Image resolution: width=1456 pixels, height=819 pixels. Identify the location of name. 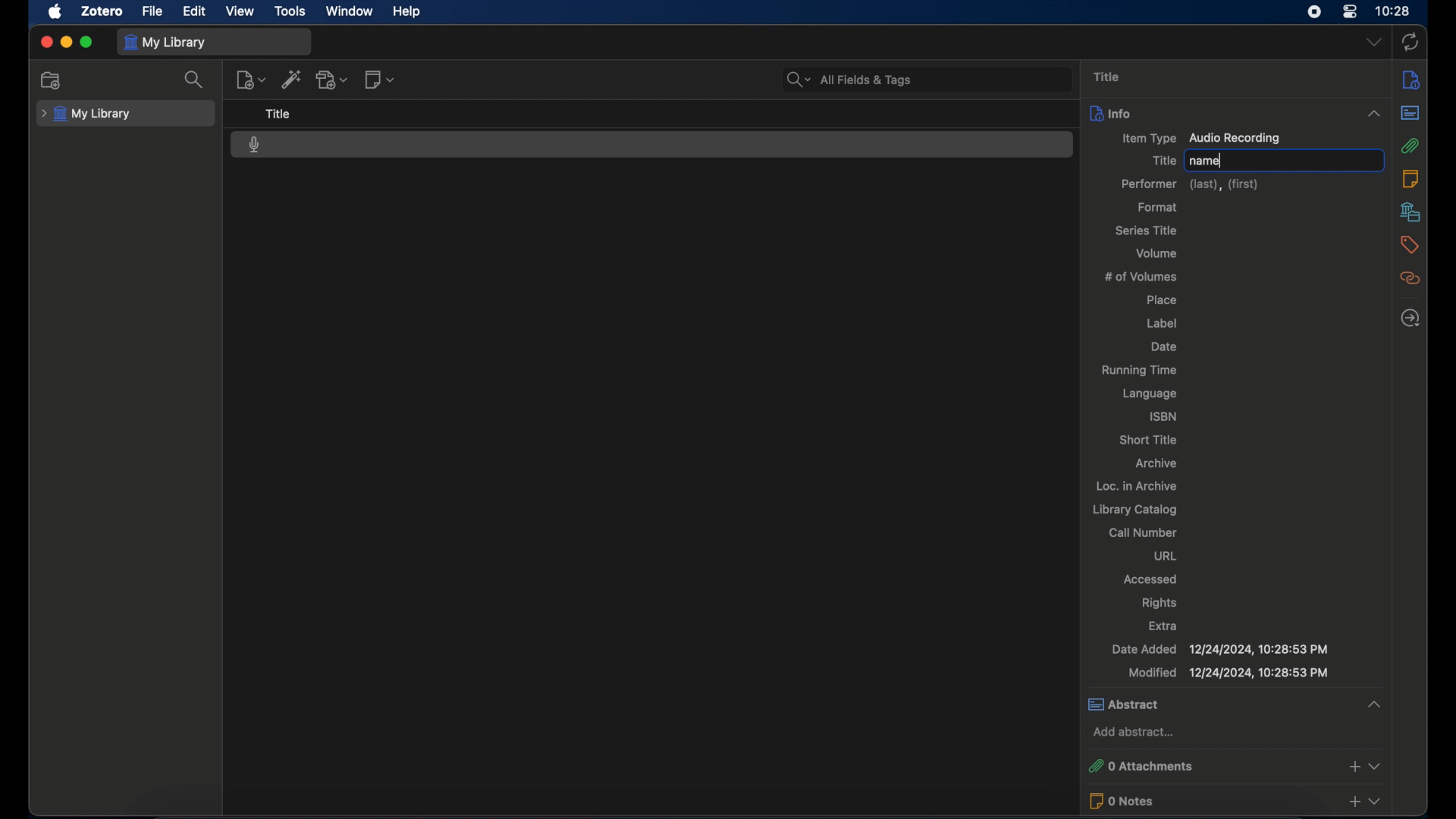
(1206, 161).